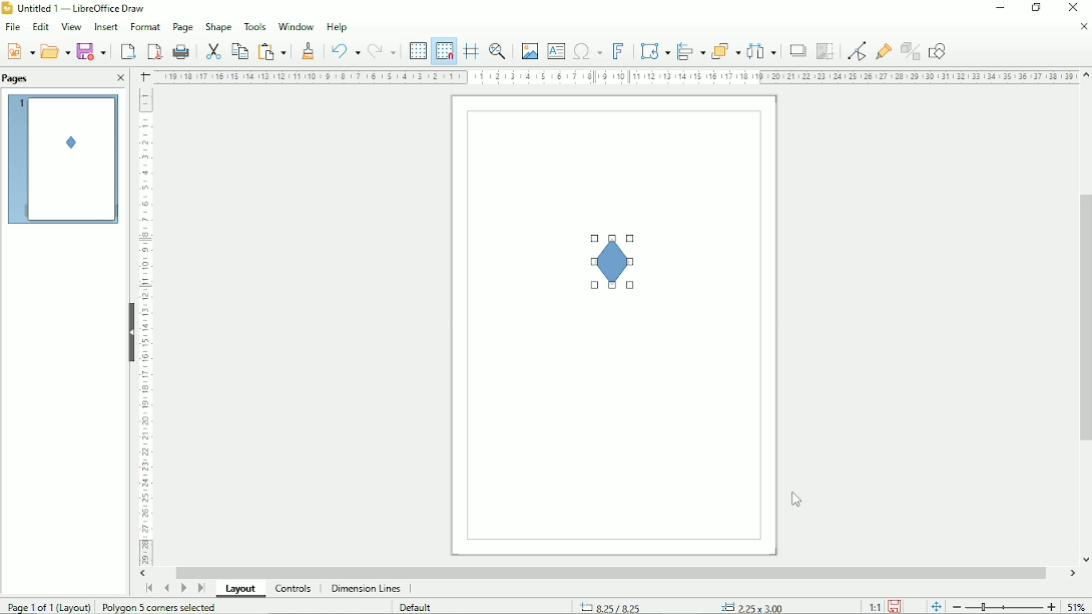 This screenshot has height=614, width=1092. What do you see at coordinates (64, 160) in the screenshot?
I see `Preview` at bounding box center [64, 160].